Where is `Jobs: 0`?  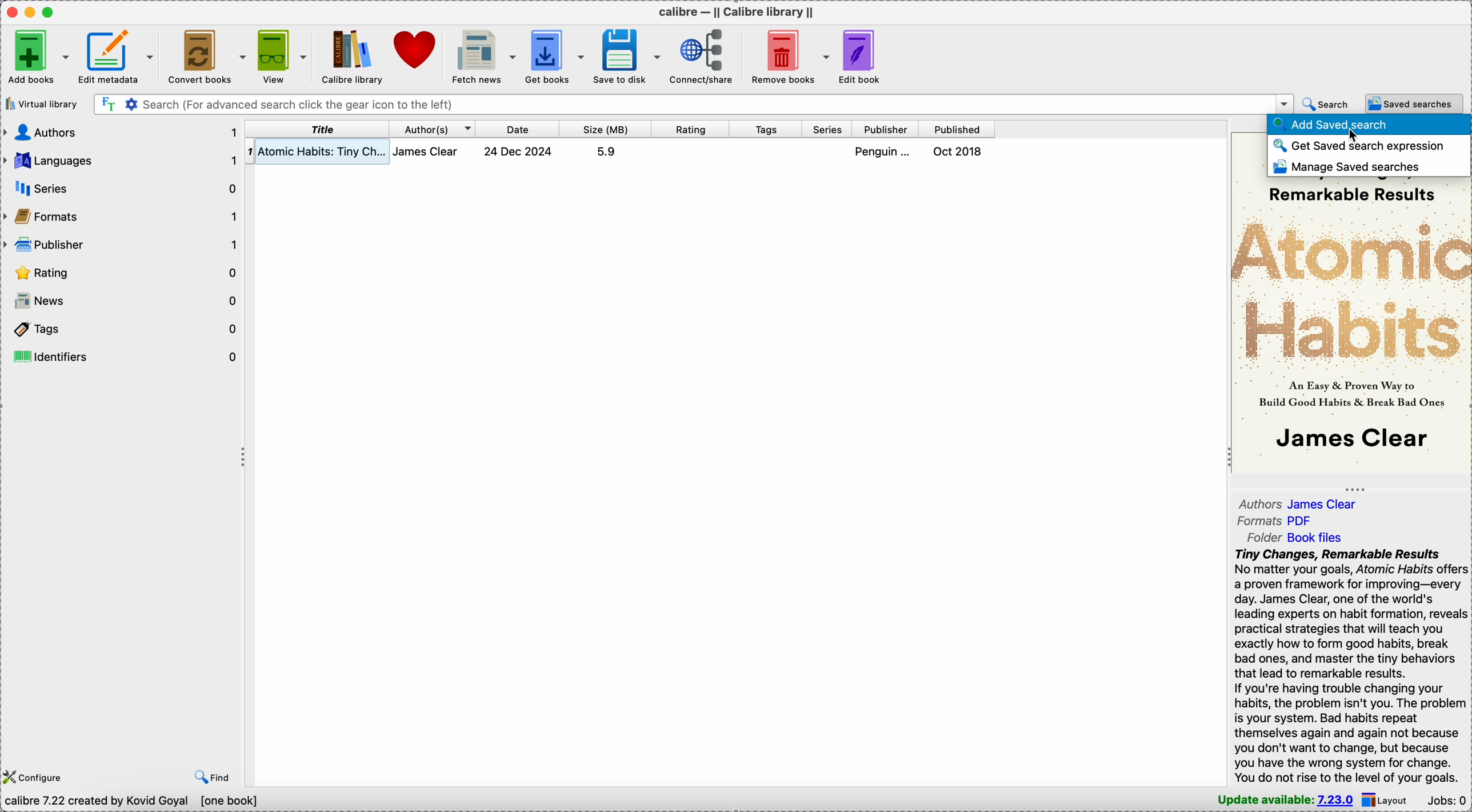 Jobs: 0 is located at coordinates (1448, 799).